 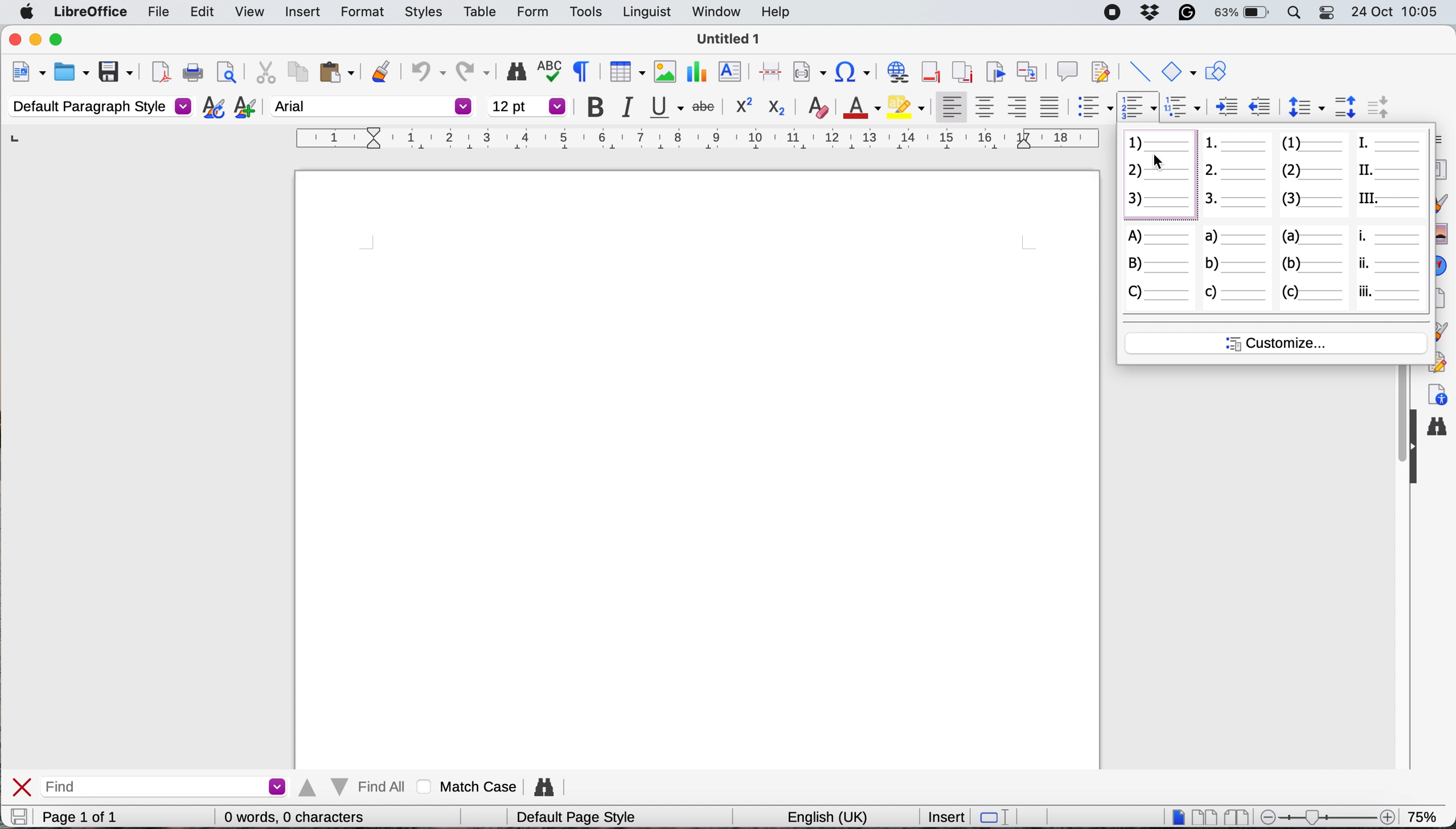 What do you see at coordinates (1324, 13) in the screenshot?
I see `control center` at bounding box center [1324, 13].